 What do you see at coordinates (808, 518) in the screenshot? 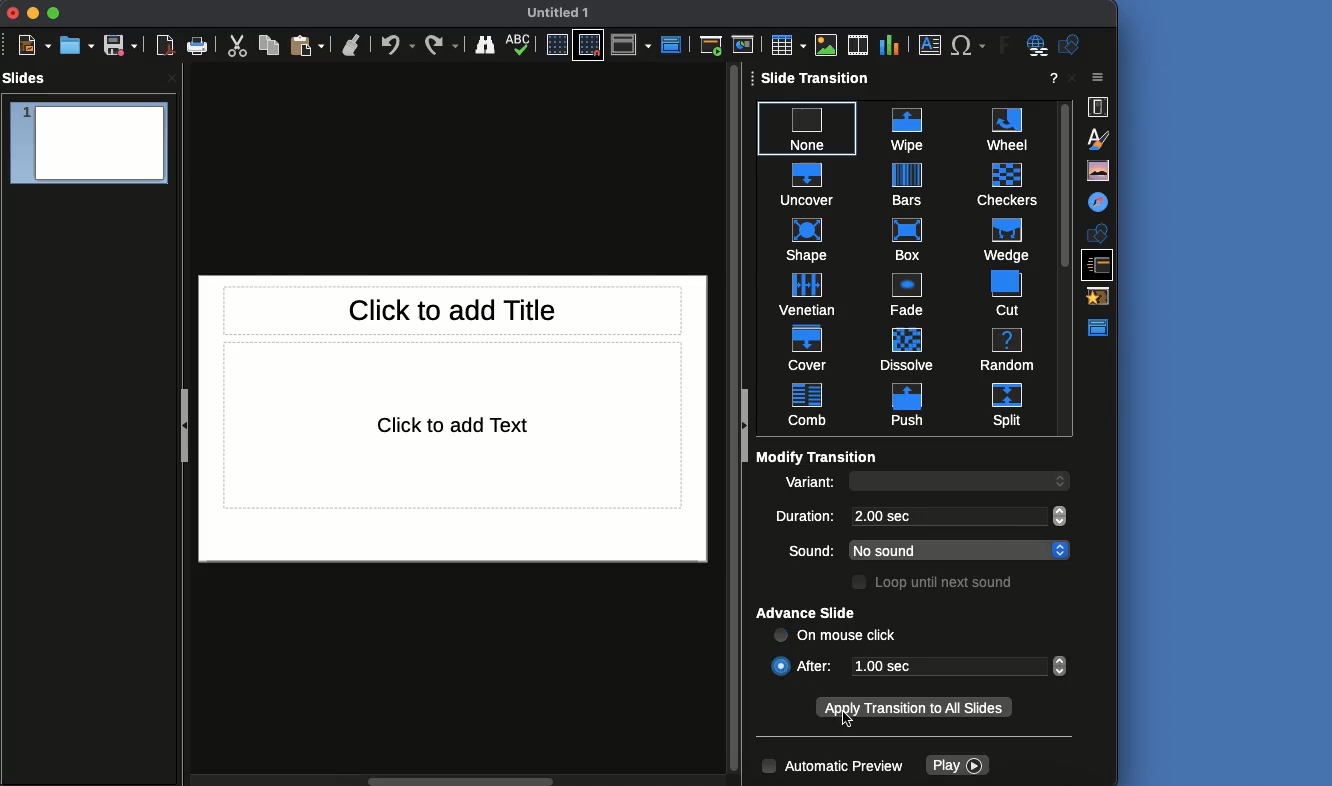
I see `Duration` at bounding box center [808, 518].